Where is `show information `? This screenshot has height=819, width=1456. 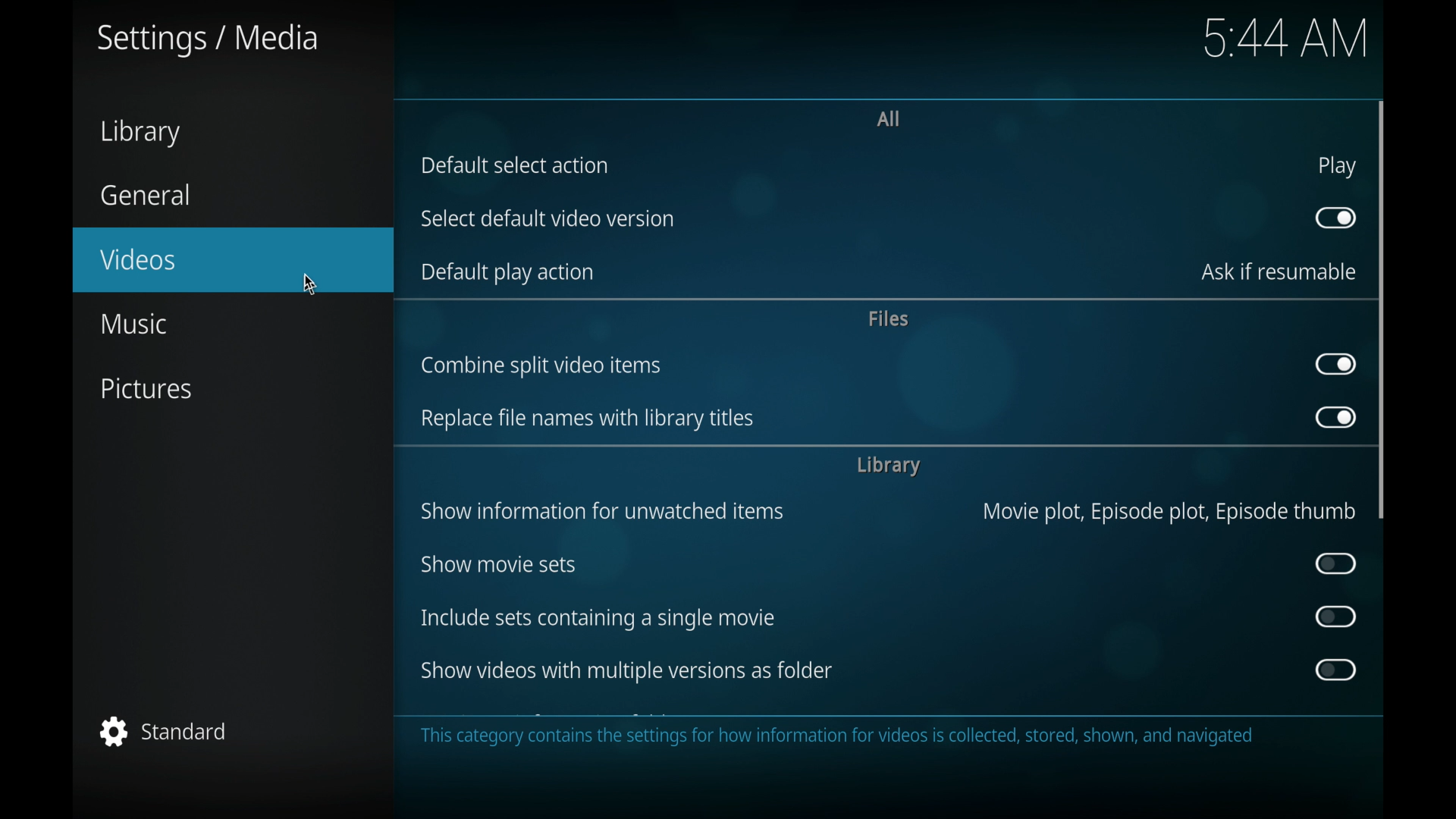
show information  is located at coordinates (602, 511).